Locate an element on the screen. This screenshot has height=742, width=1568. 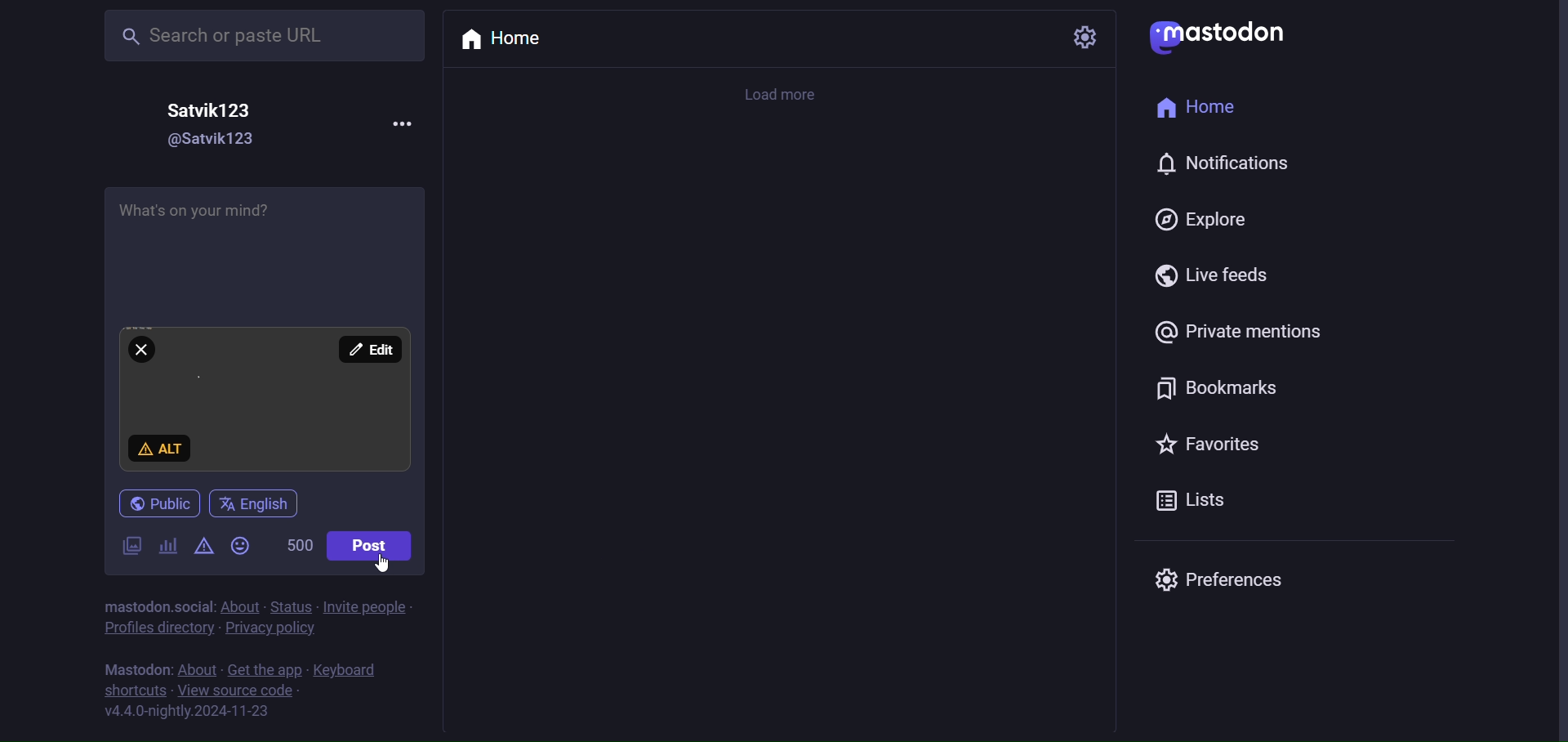
english is located at coordinates (258, 500).